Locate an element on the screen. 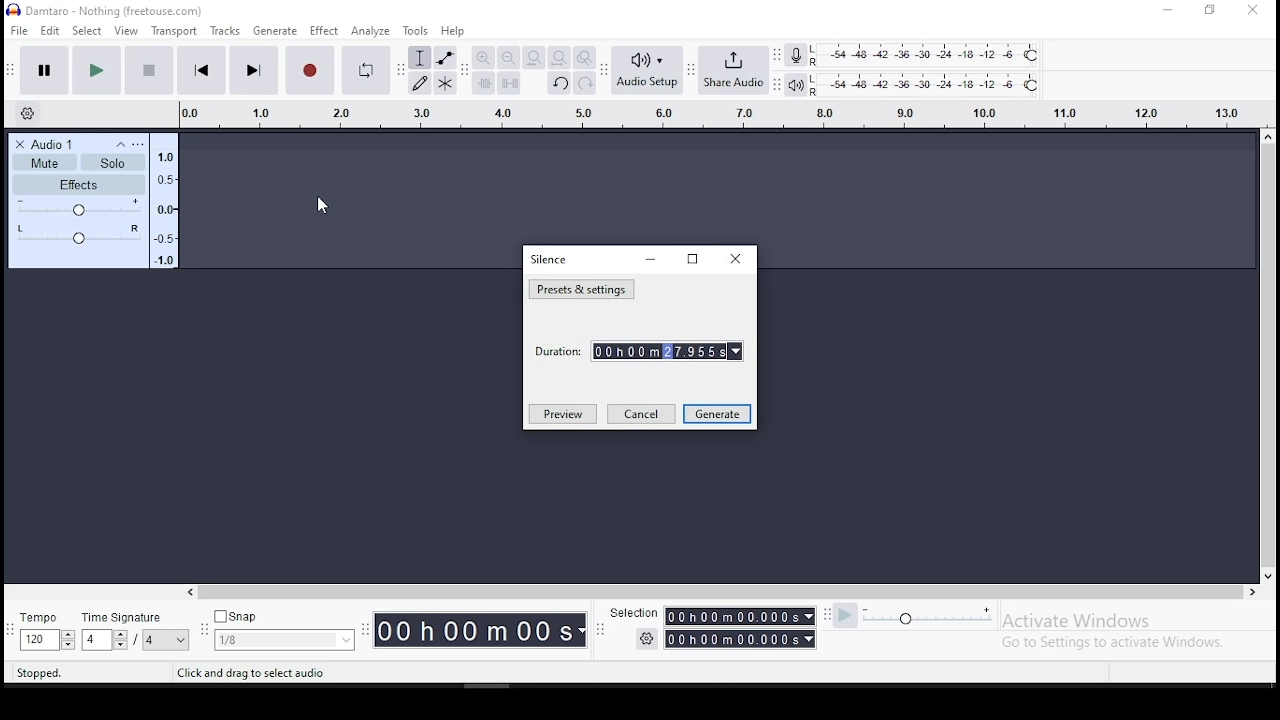  timeline settings is located at coordinates (31, 114).